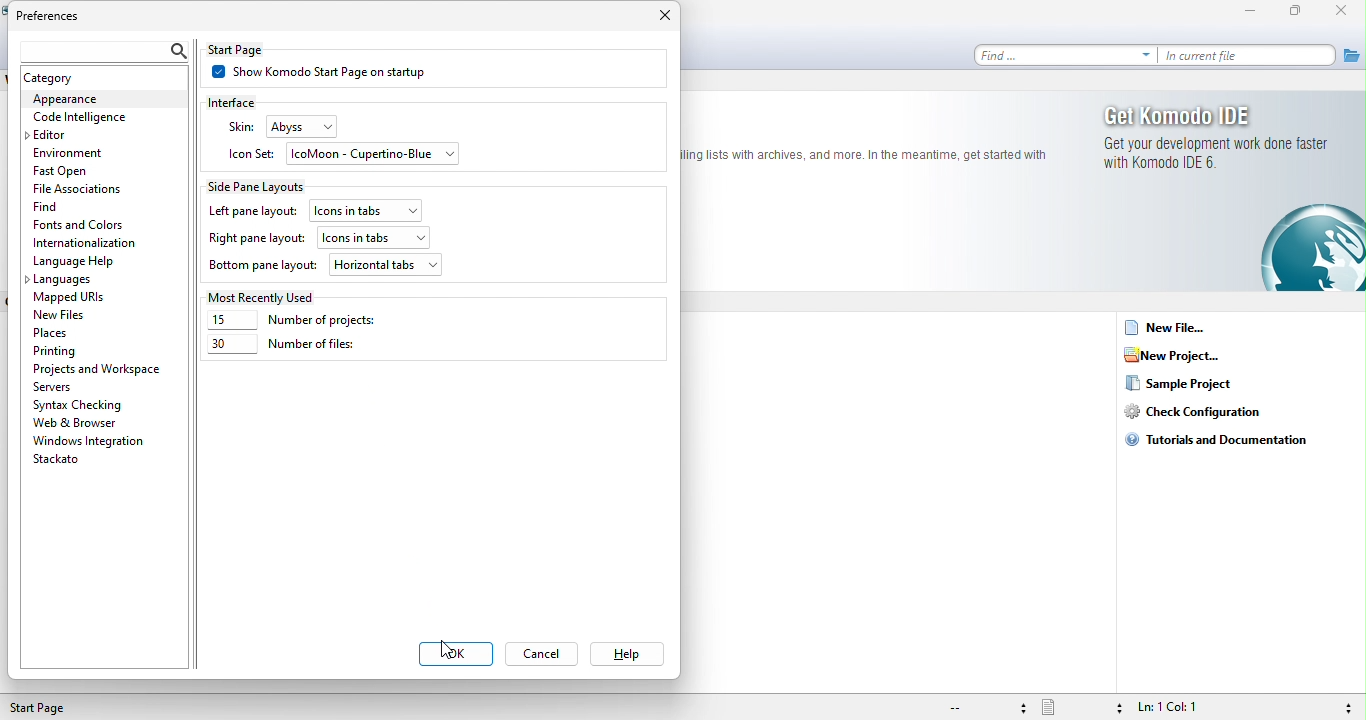 The height and width of the screenshot is (720, 1366). Describe the element at coordinates (458, 656) in the screenshot. I see `select ok` at that location.